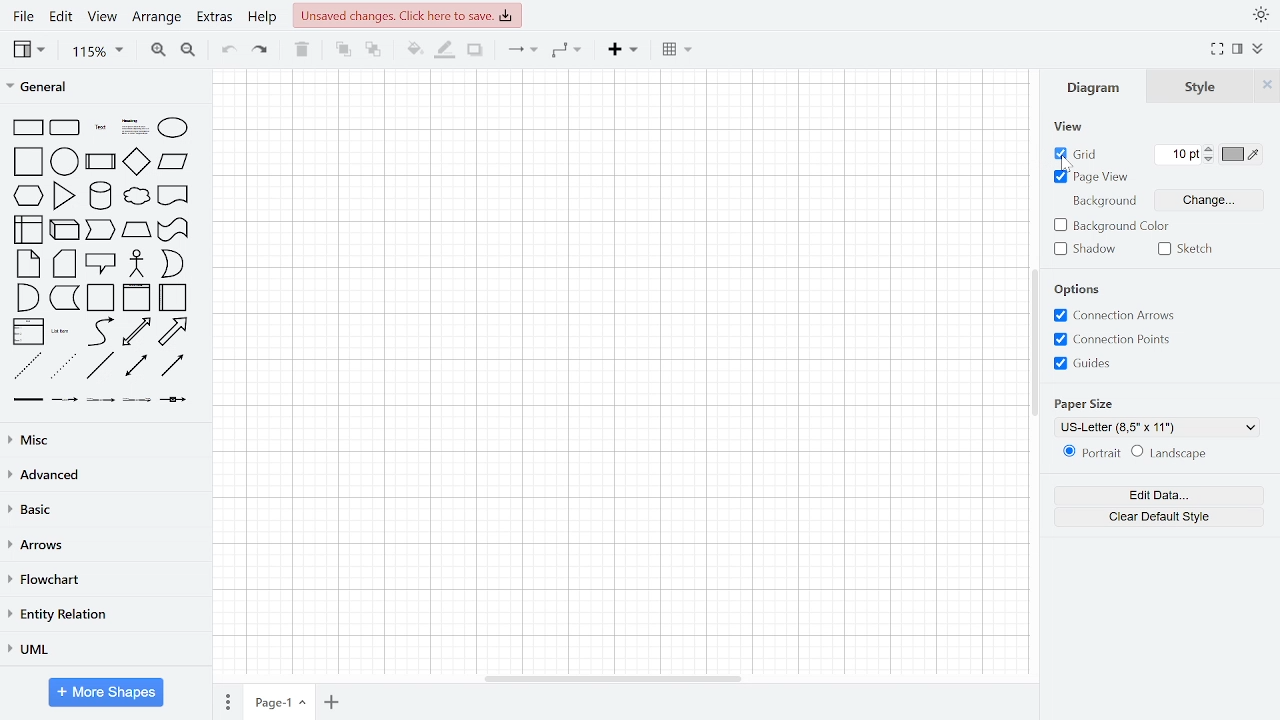 Image resolution: width=1280 pixels, height=720 pixels. I want to click on portrait, so click(1090, 453).